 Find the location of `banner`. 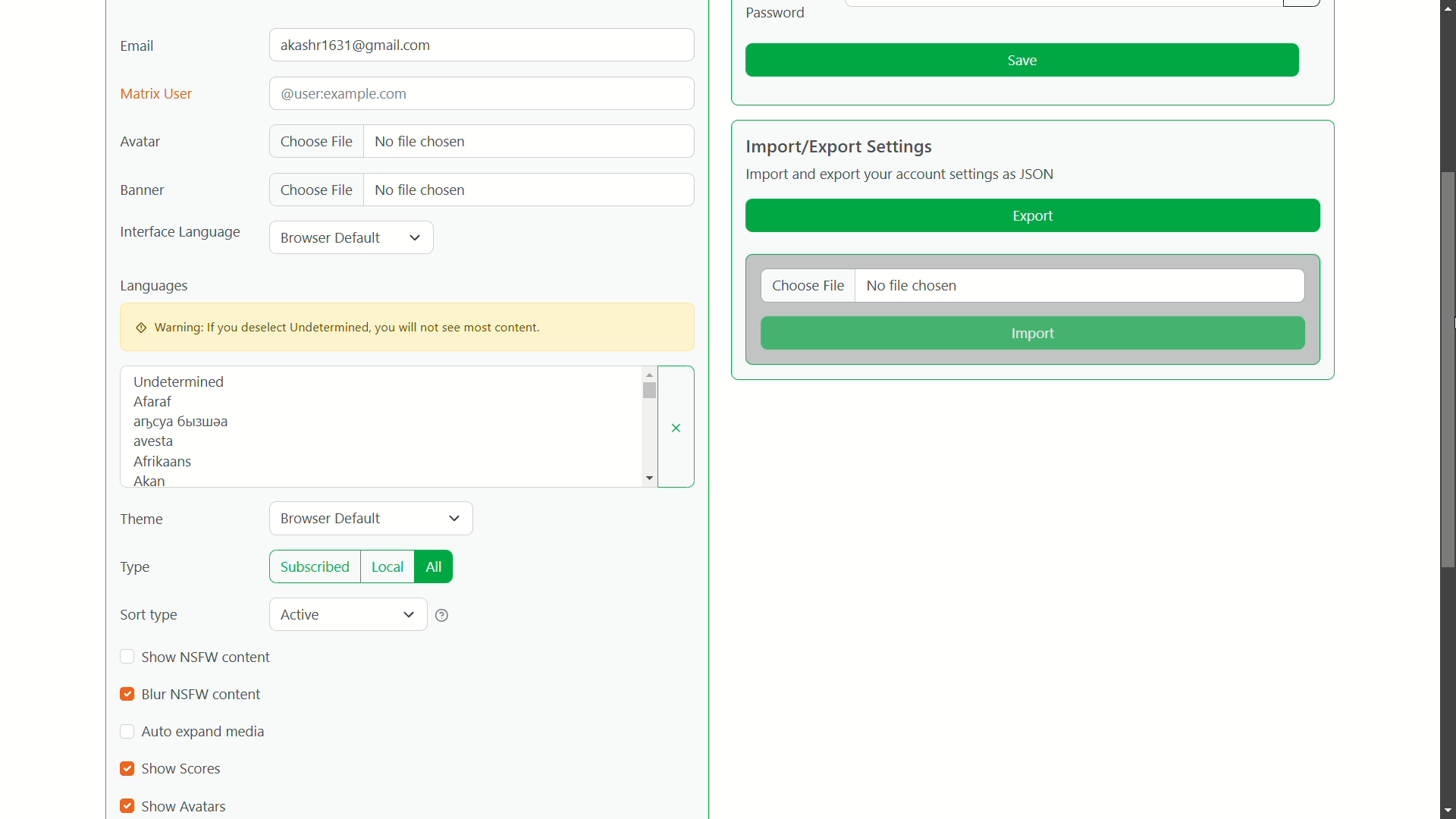

banner is located at coordinates (140, 190).